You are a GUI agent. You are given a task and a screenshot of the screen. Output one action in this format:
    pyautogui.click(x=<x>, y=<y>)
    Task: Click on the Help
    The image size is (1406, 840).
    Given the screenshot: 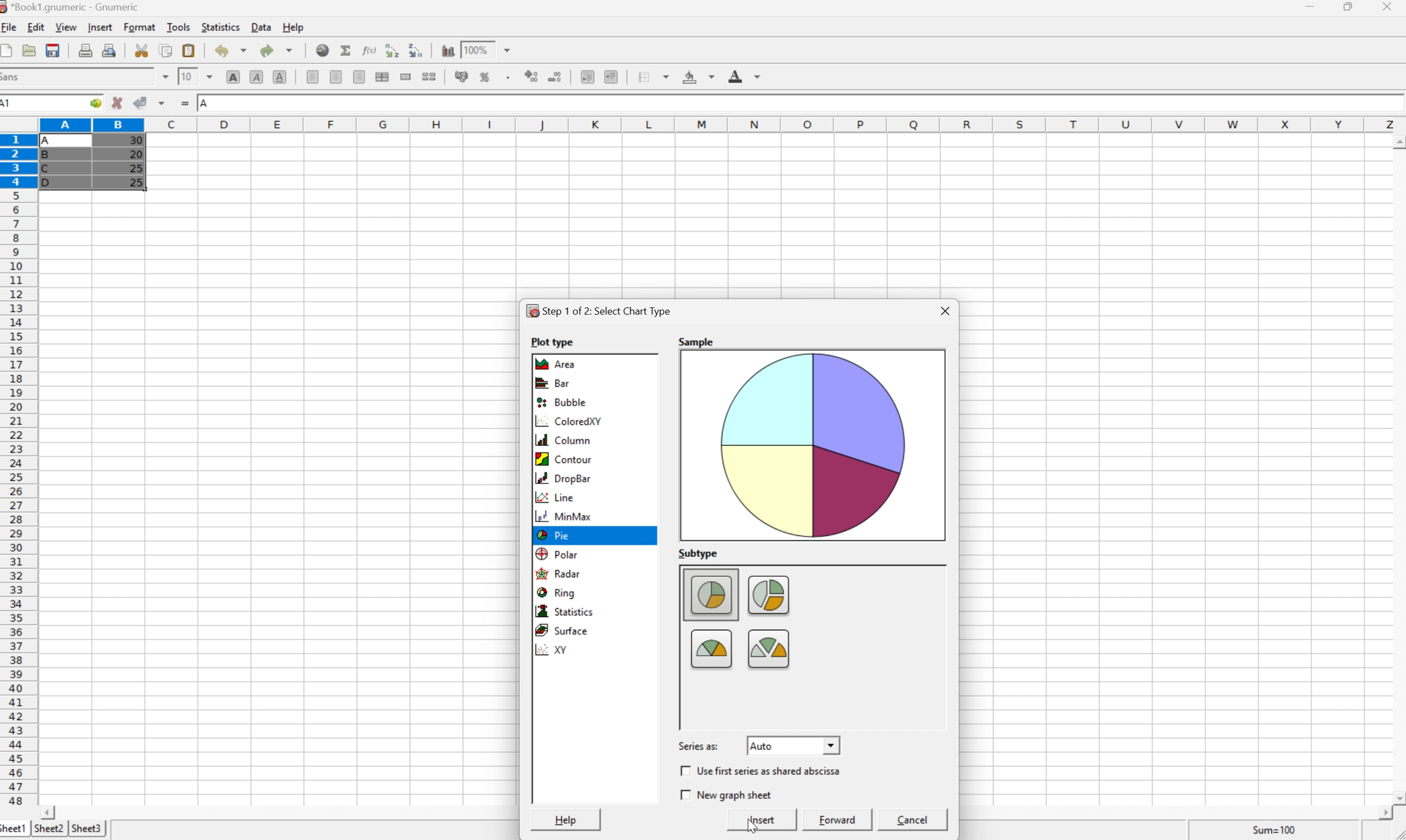 What is the action you would take?
    pyautogui.click(x=567, y=820)
    